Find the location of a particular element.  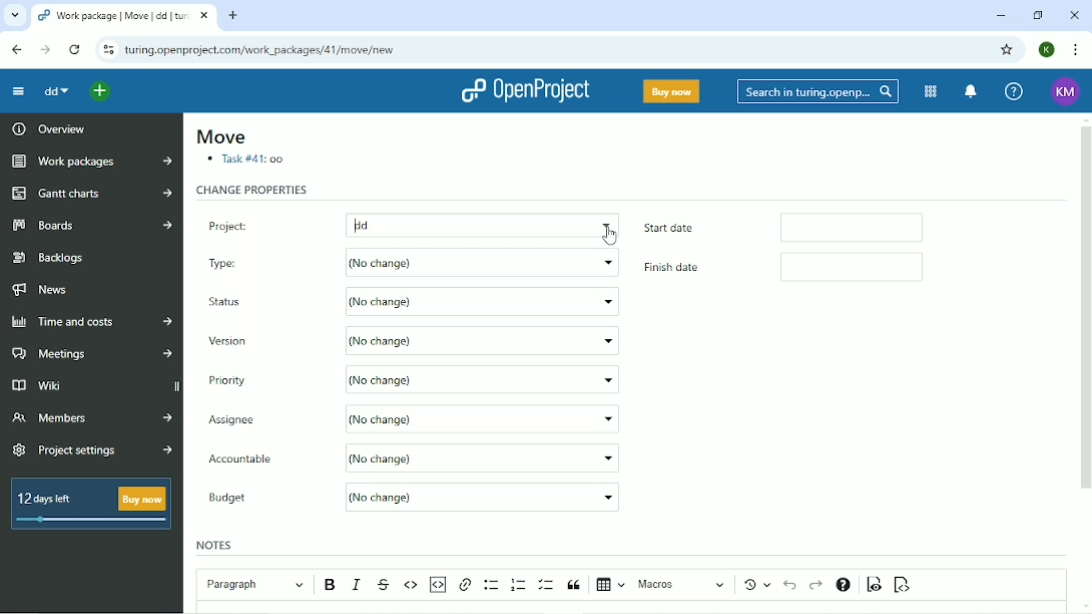

Redo is located at coordinates (816, 585).